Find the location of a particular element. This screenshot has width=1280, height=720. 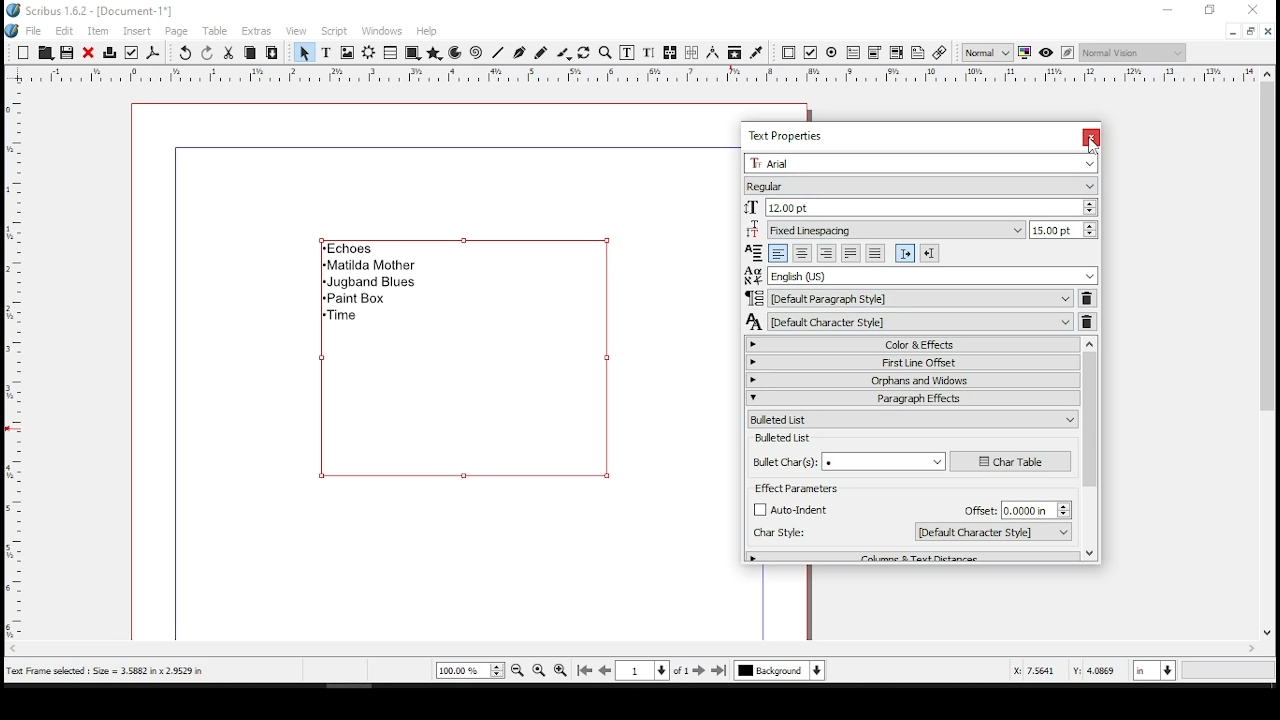

delete paragraph style is located at coordinates (1088, 298).